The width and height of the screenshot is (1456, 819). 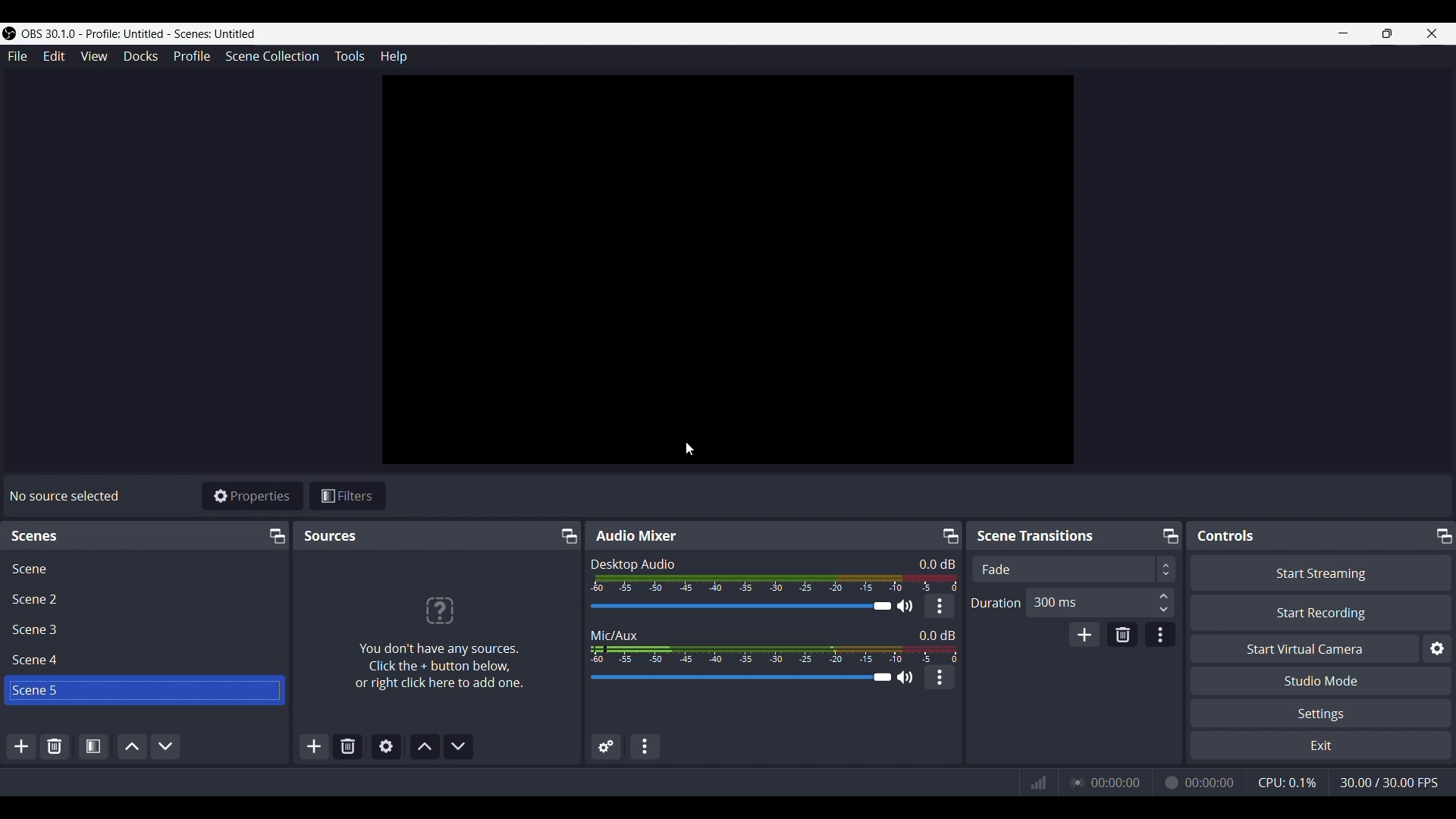 I want to click on Filters, so click(x=348, y=495).